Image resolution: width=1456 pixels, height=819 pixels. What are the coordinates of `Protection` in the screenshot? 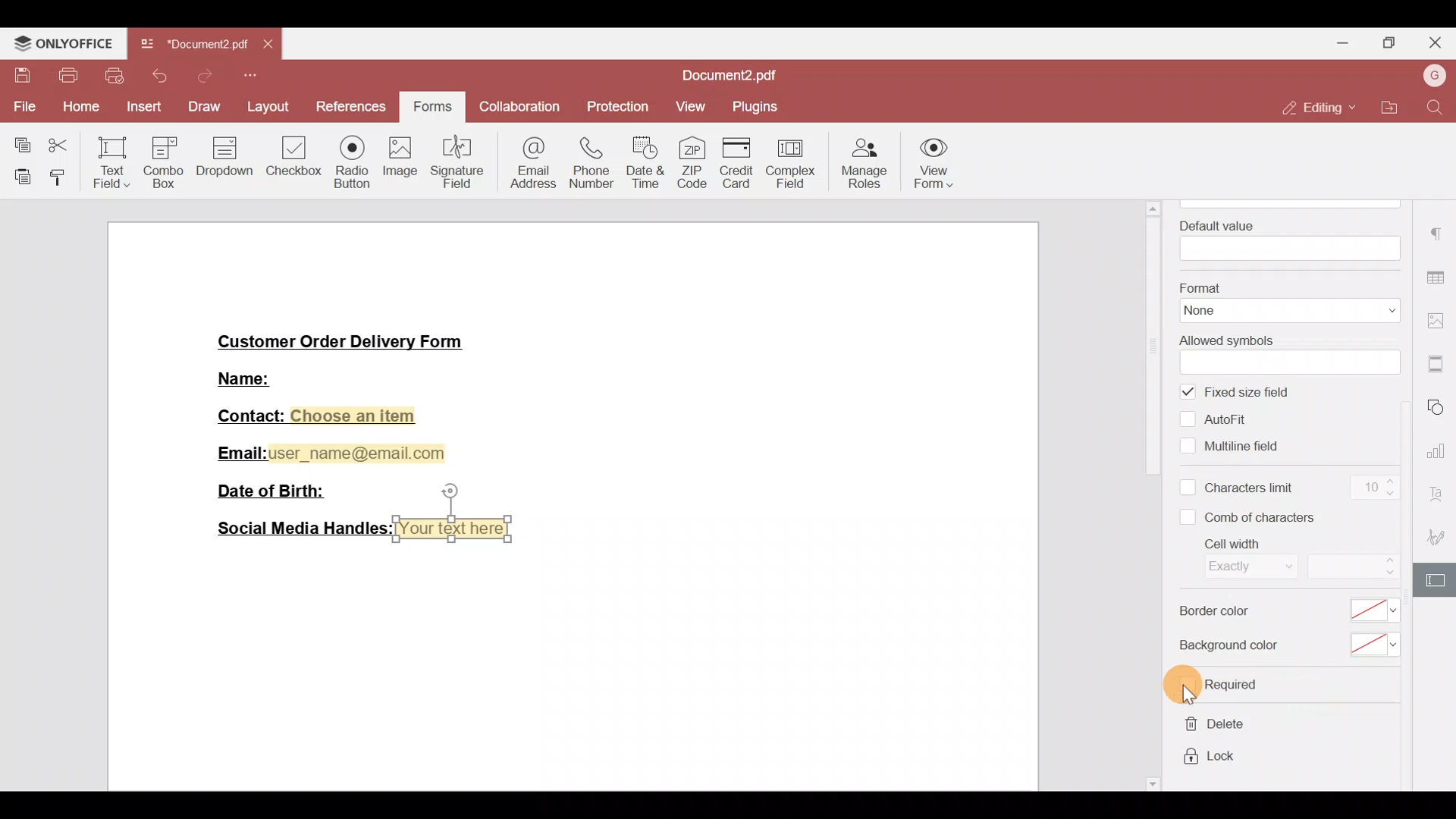 It's located at (614, 108).